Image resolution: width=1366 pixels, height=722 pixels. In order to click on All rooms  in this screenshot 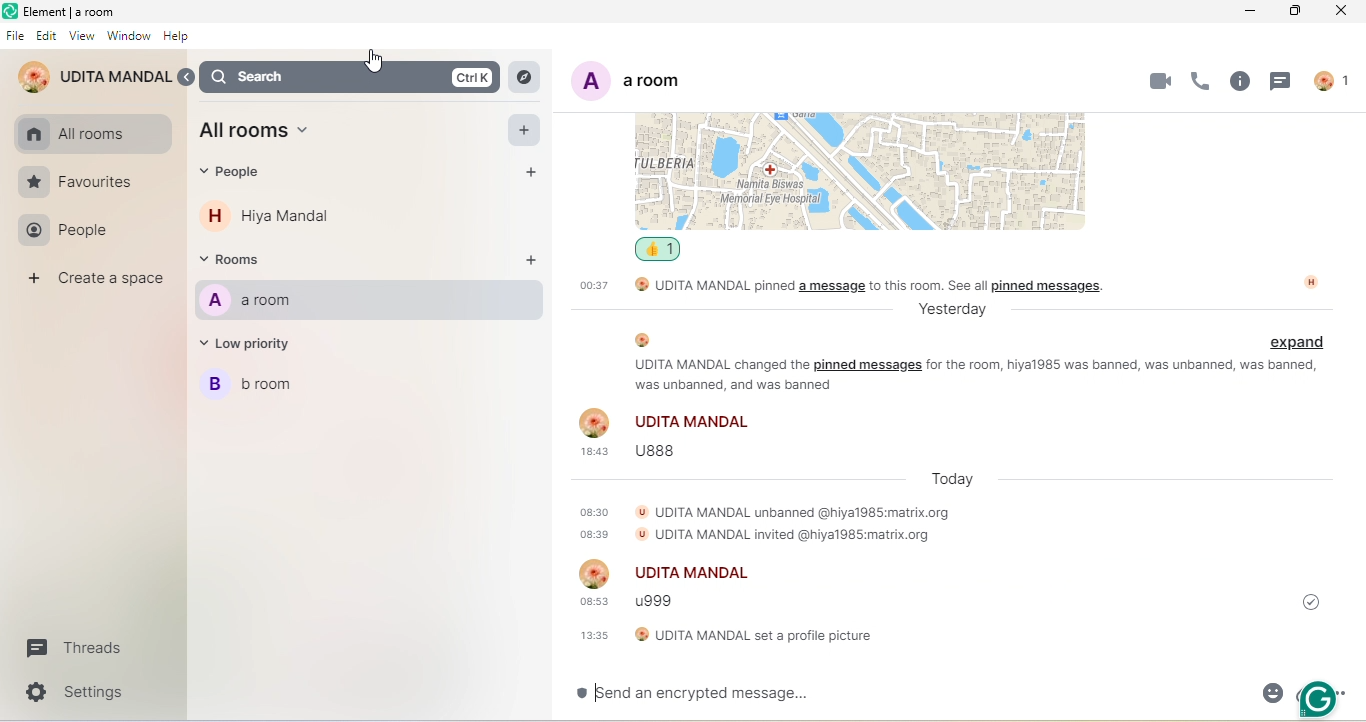, I will do `click(269, 132)`.